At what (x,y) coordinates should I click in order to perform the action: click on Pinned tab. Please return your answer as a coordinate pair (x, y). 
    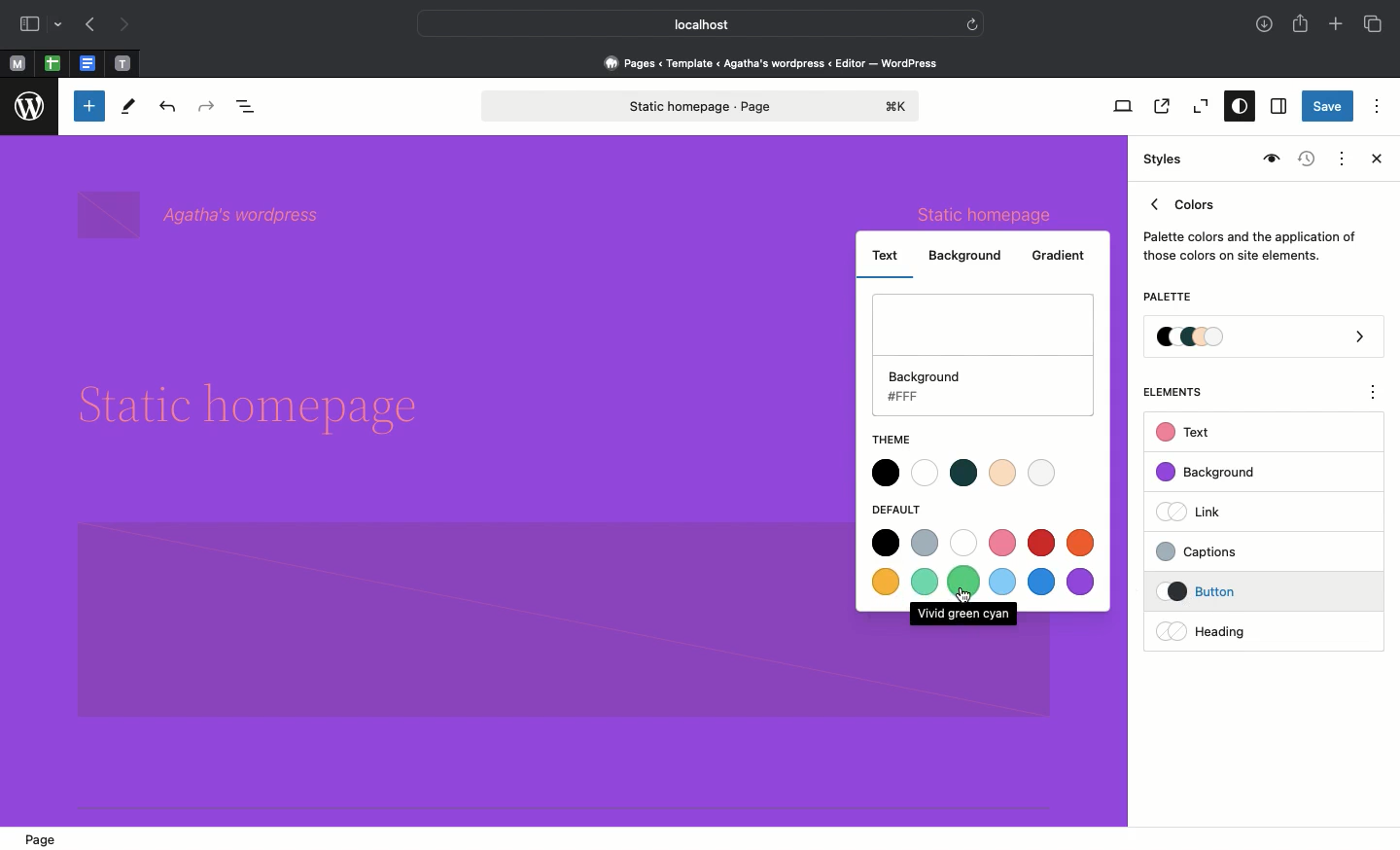
    Looking at the image, I should click on (17, 64).